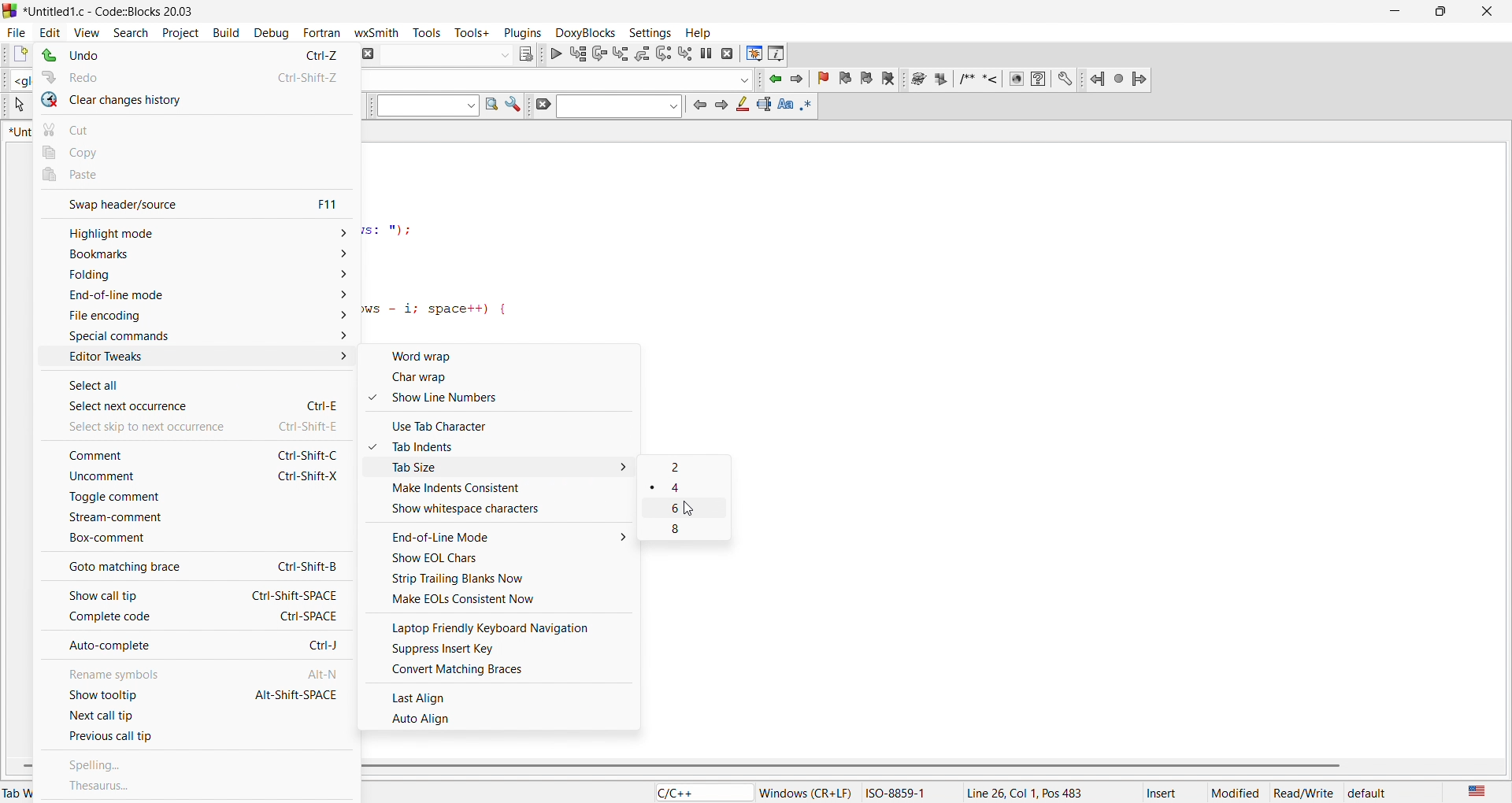 The width and height of the screenshot is (1512, 803). I want to click on find in page, so click(490, 107).